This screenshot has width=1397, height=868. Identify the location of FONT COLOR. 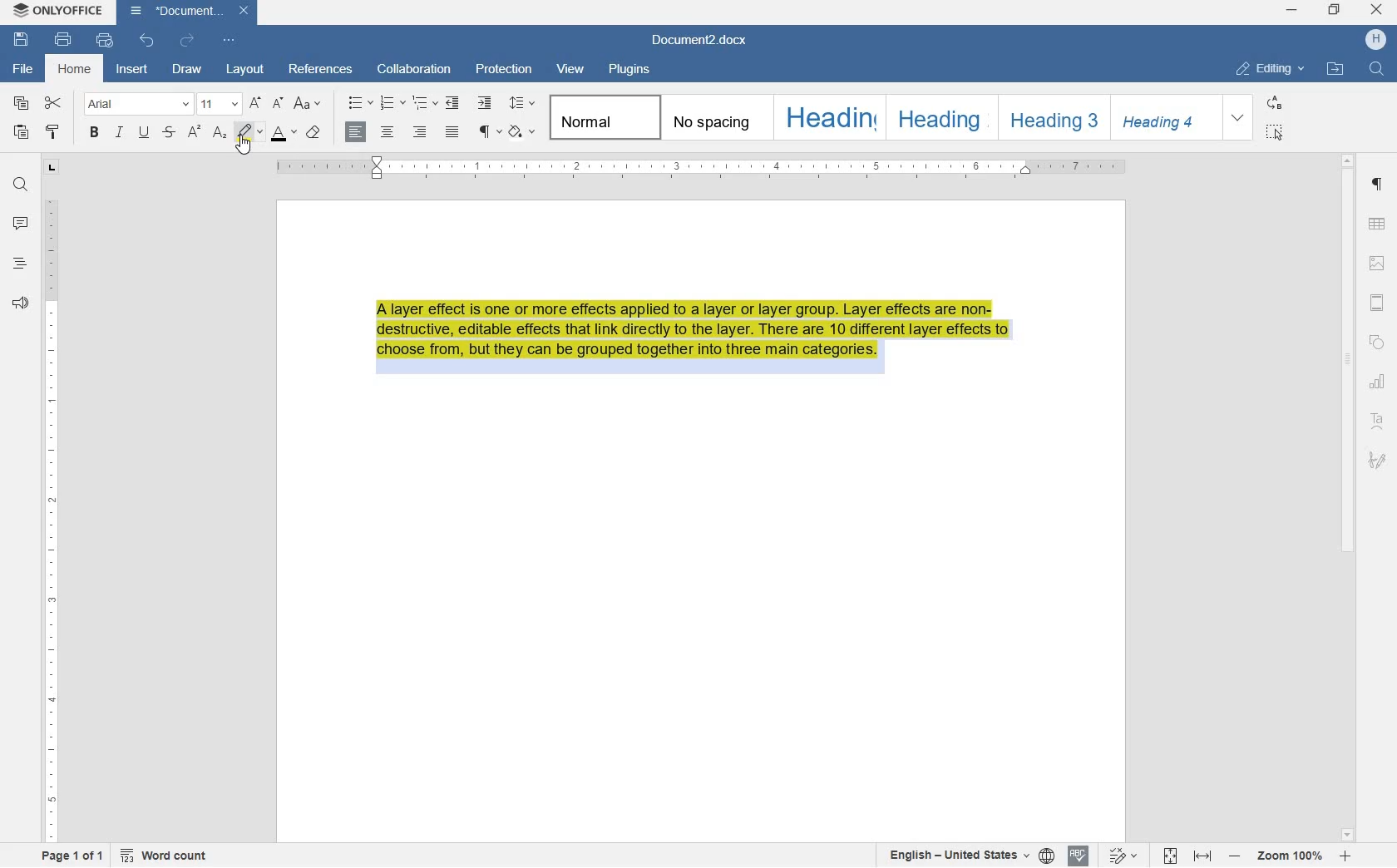
(284, 136).